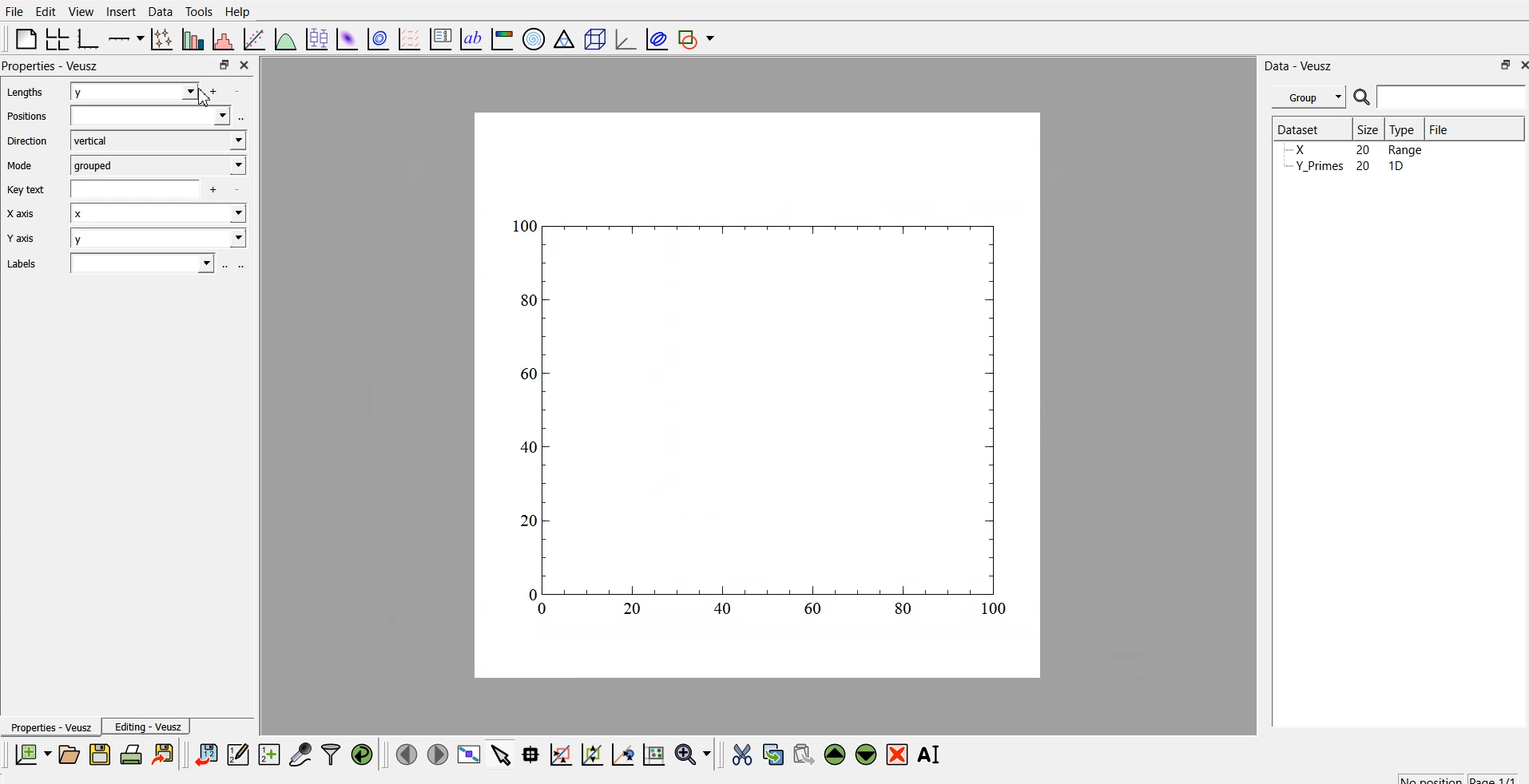  Describe the element at coordinates (22, 38) in the screenshot. I see `blank page` at that location.